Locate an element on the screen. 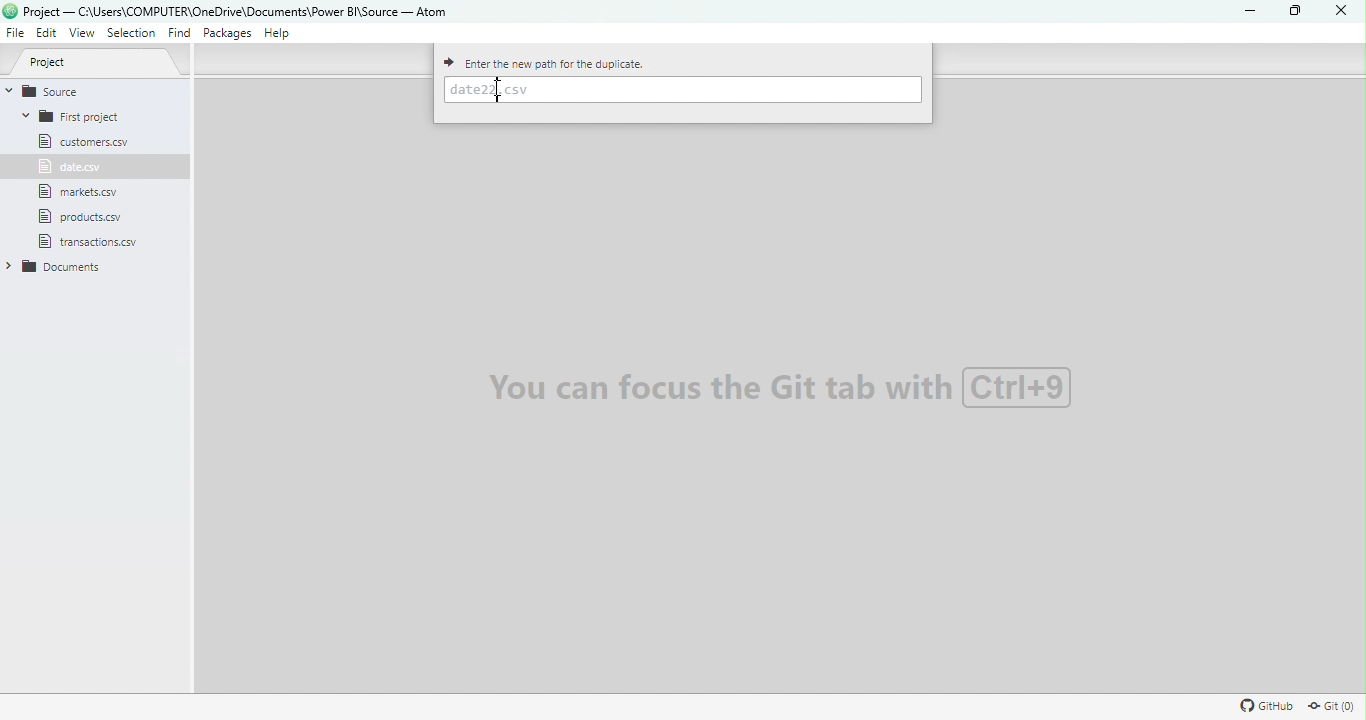 The width and height of the screenshot is (1366, 720). Project is located at coordinates (102, 63).